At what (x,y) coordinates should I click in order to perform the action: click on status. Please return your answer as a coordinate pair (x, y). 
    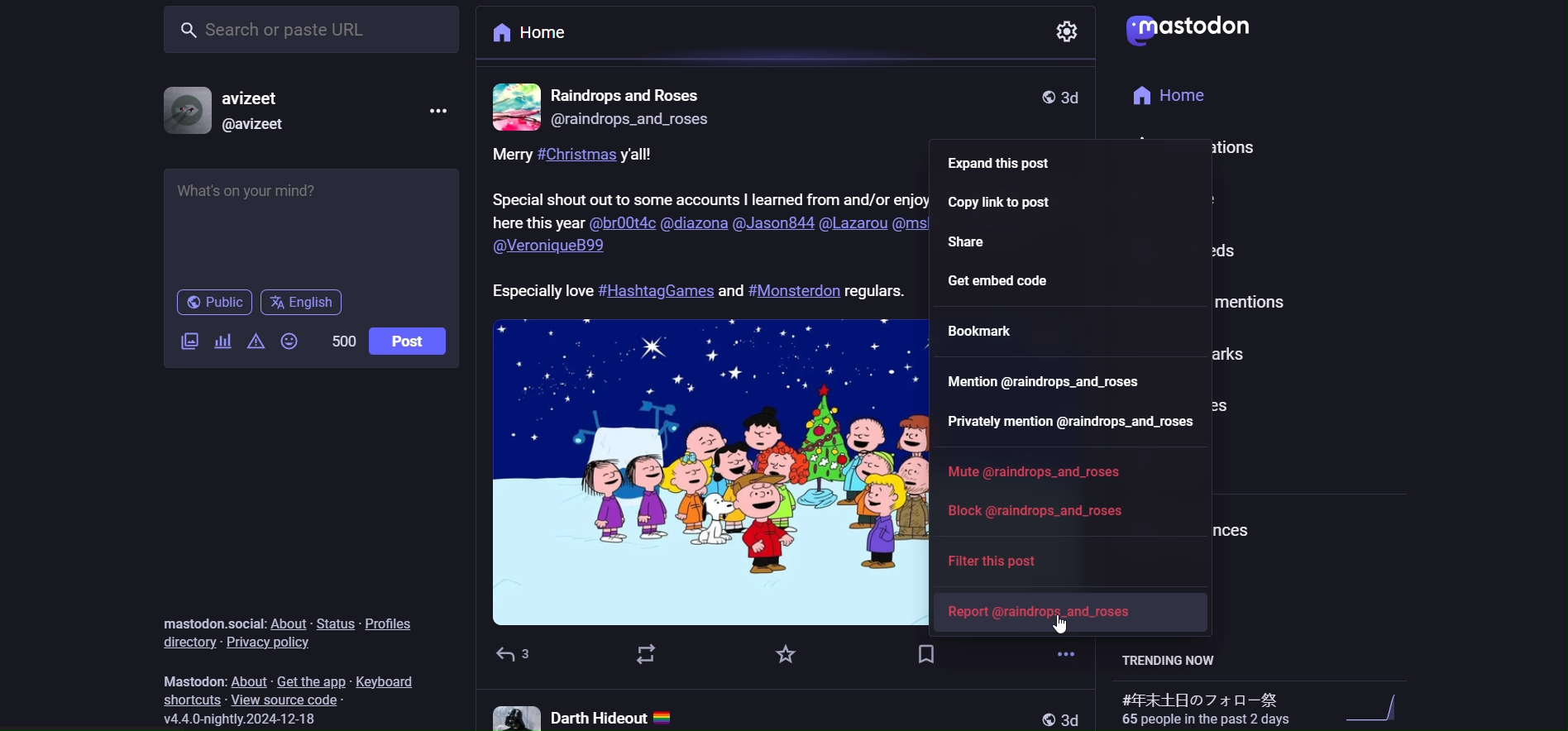
    Looking at the image, I should click on (331, 623).